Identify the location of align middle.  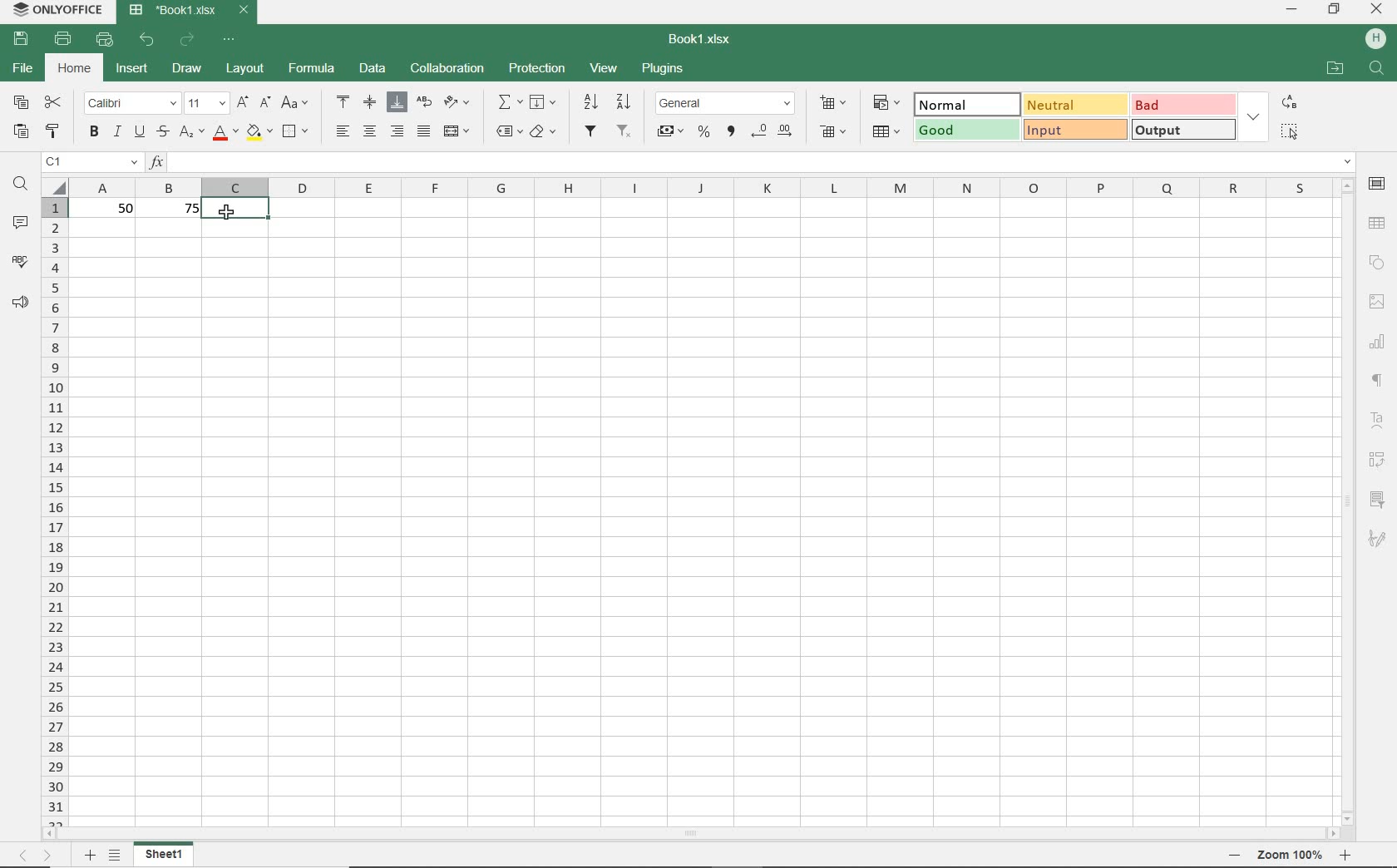
(368, 102).